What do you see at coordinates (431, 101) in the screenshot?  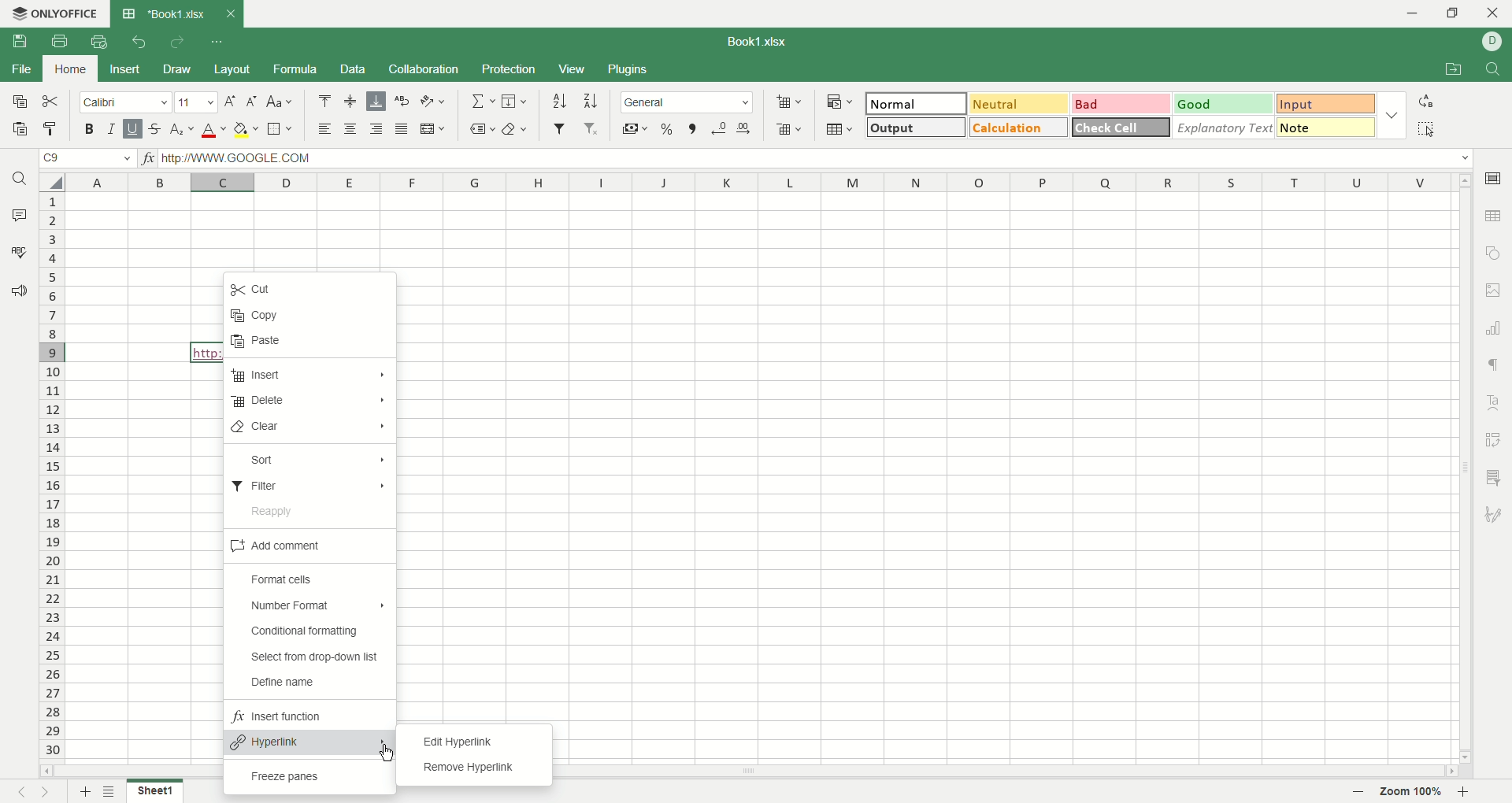 I see `orientation` at bounding box center [431, 101].